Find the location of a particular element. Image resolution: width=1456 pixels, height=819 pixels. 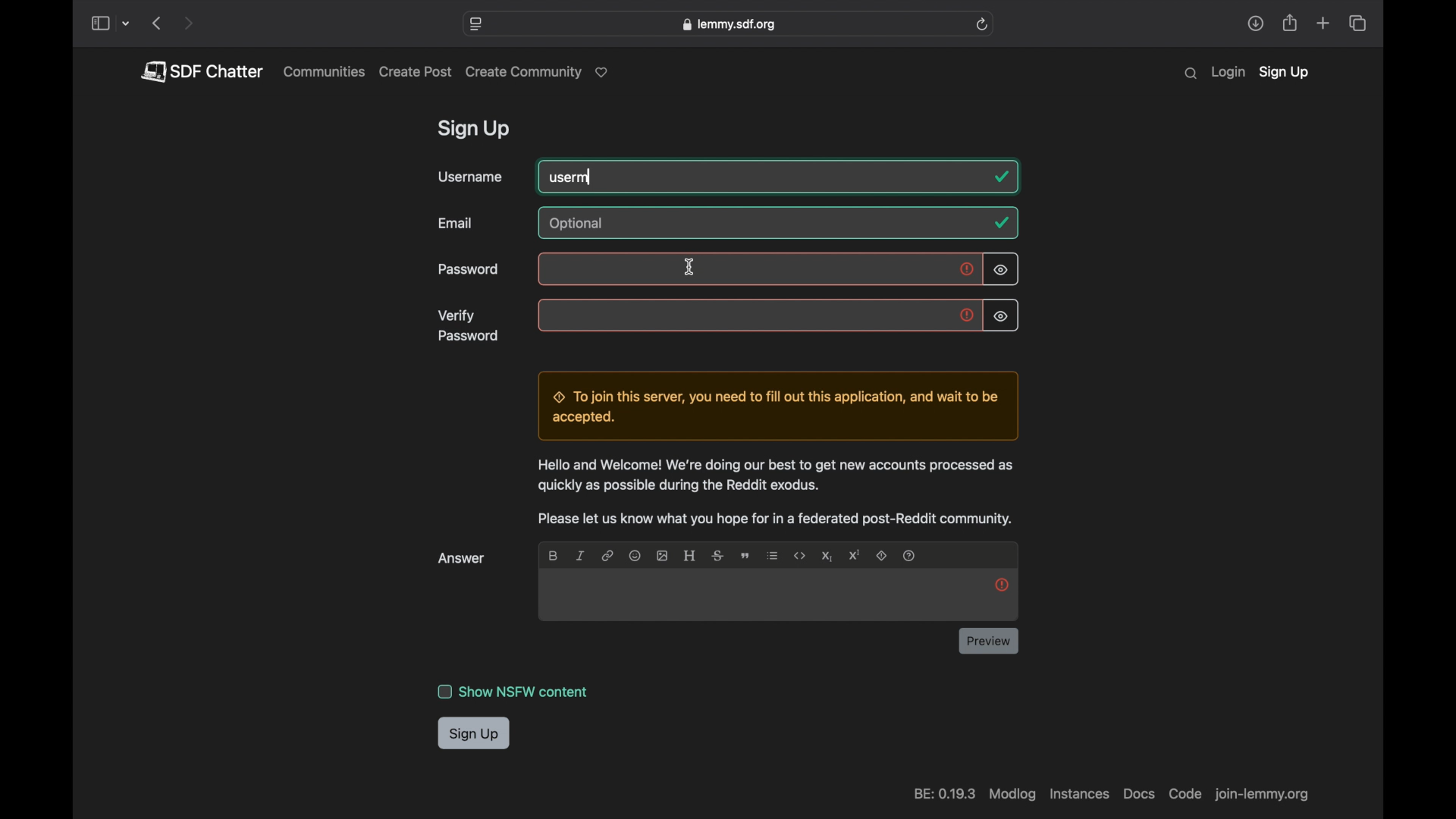

list is located at coordinates (773, 555).